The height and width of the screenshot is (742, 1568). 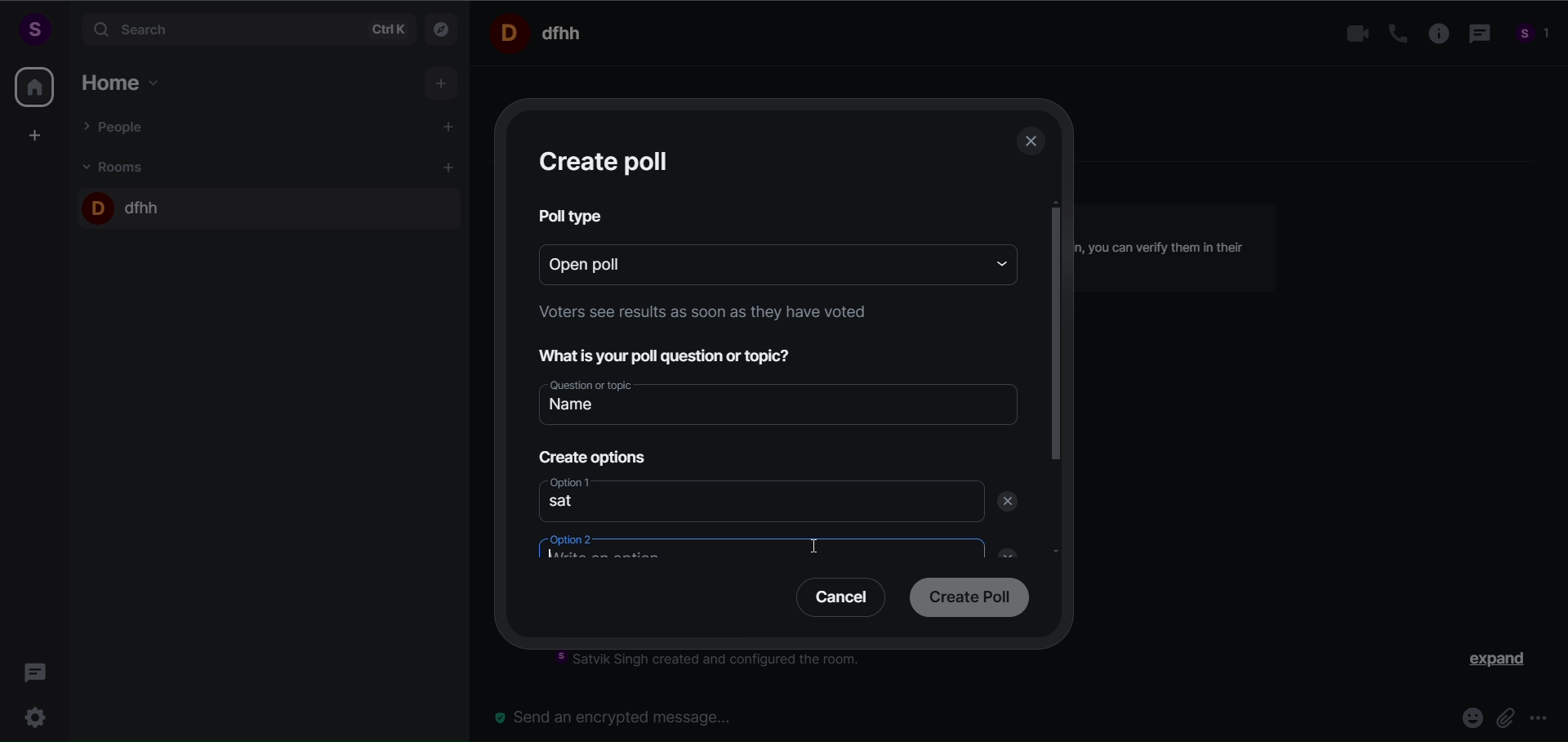 I want to click on call, so click(x=1392, y=34).